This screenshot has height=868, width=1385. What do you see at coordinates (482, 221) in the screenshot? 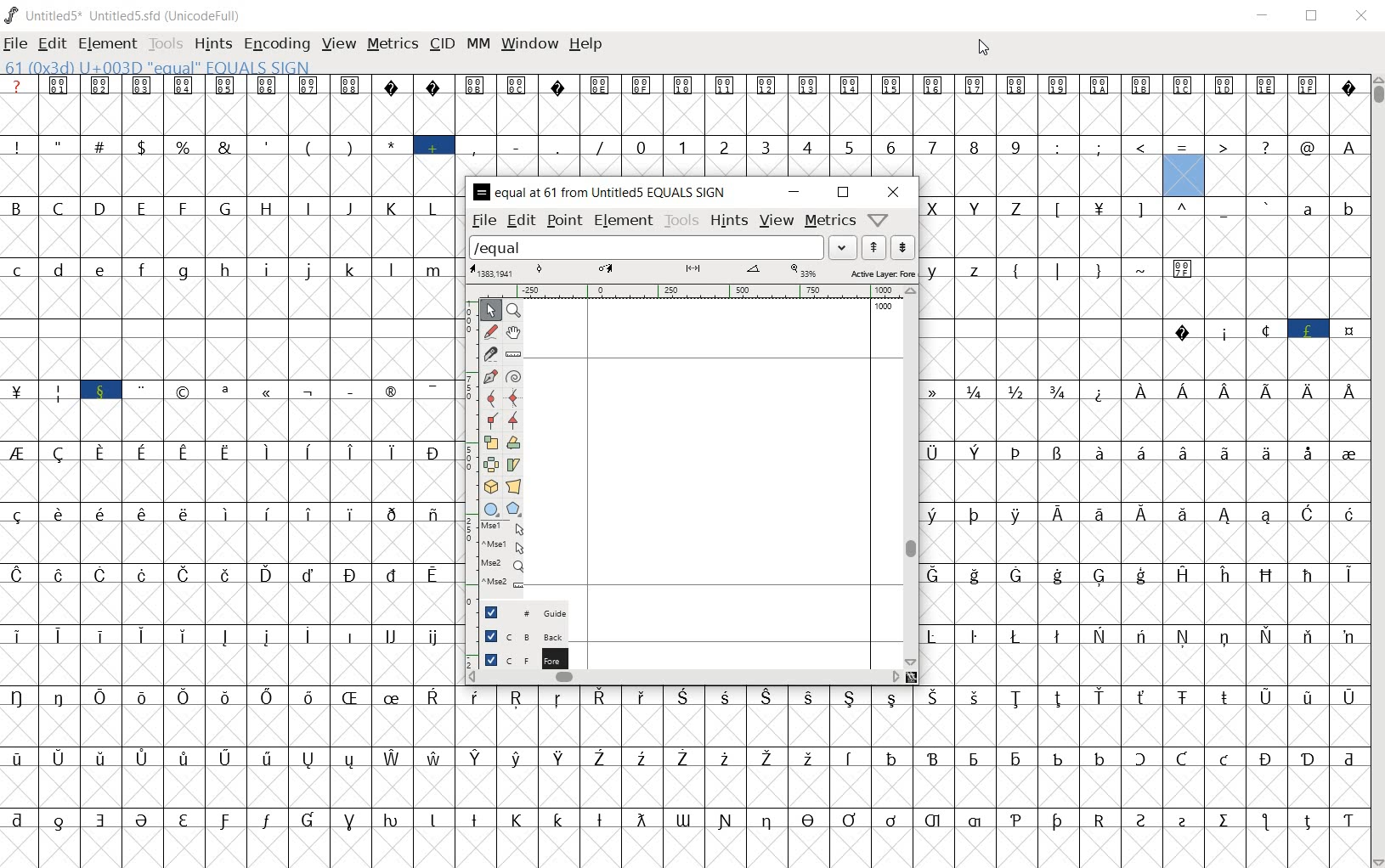
I see `file` at bounding box center [482, 221].